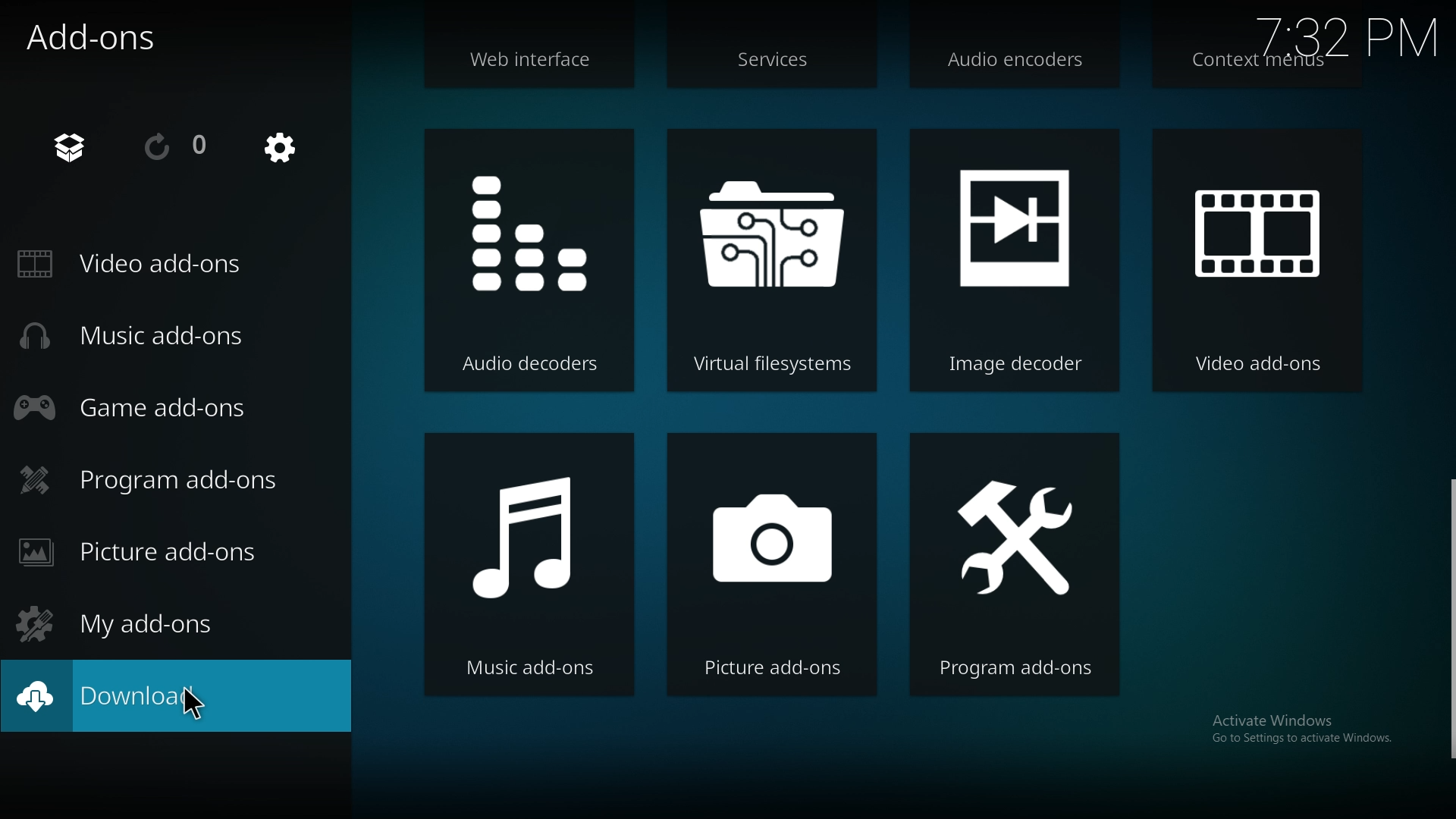 The width and height of the screenshot is (1456, 819). I want to click on picture add ons, so click(158, 552).